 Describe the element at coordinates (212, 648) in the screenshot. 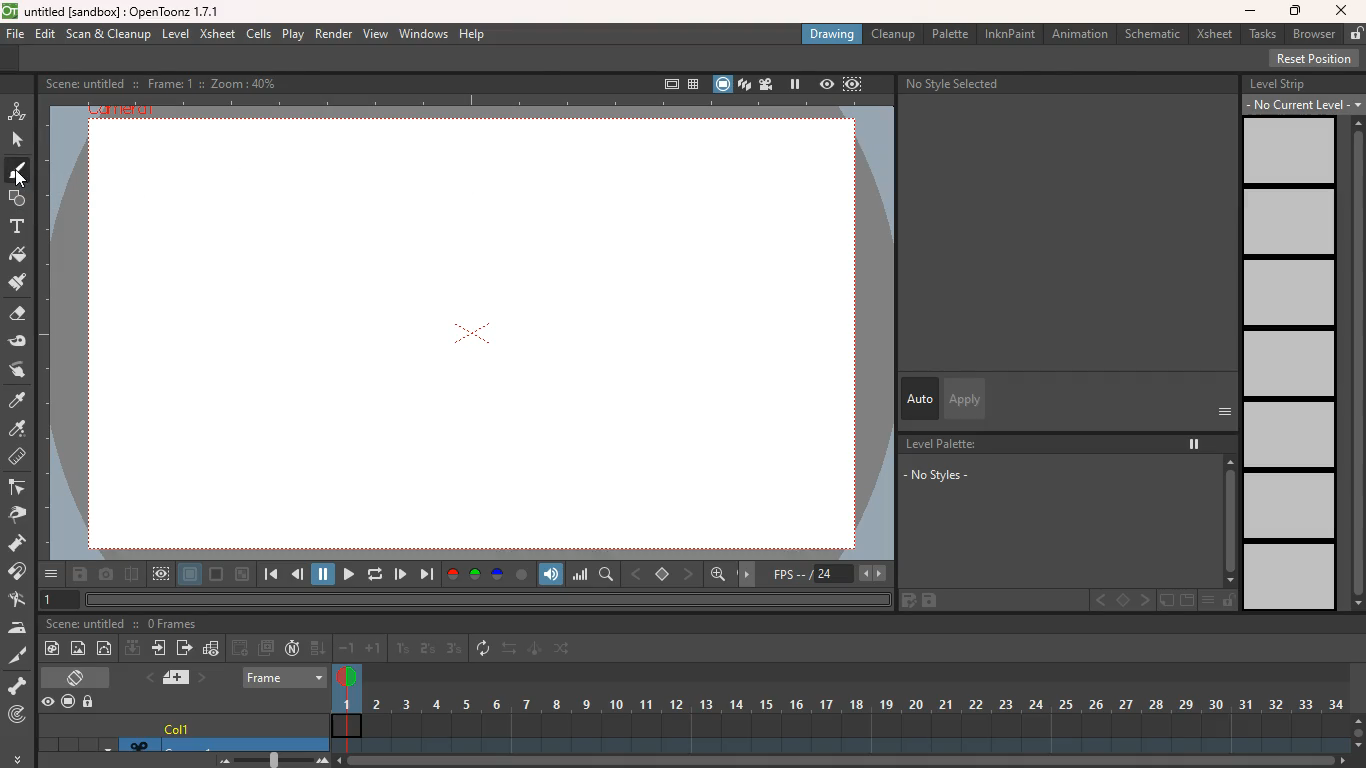

I see `graph` at that location.